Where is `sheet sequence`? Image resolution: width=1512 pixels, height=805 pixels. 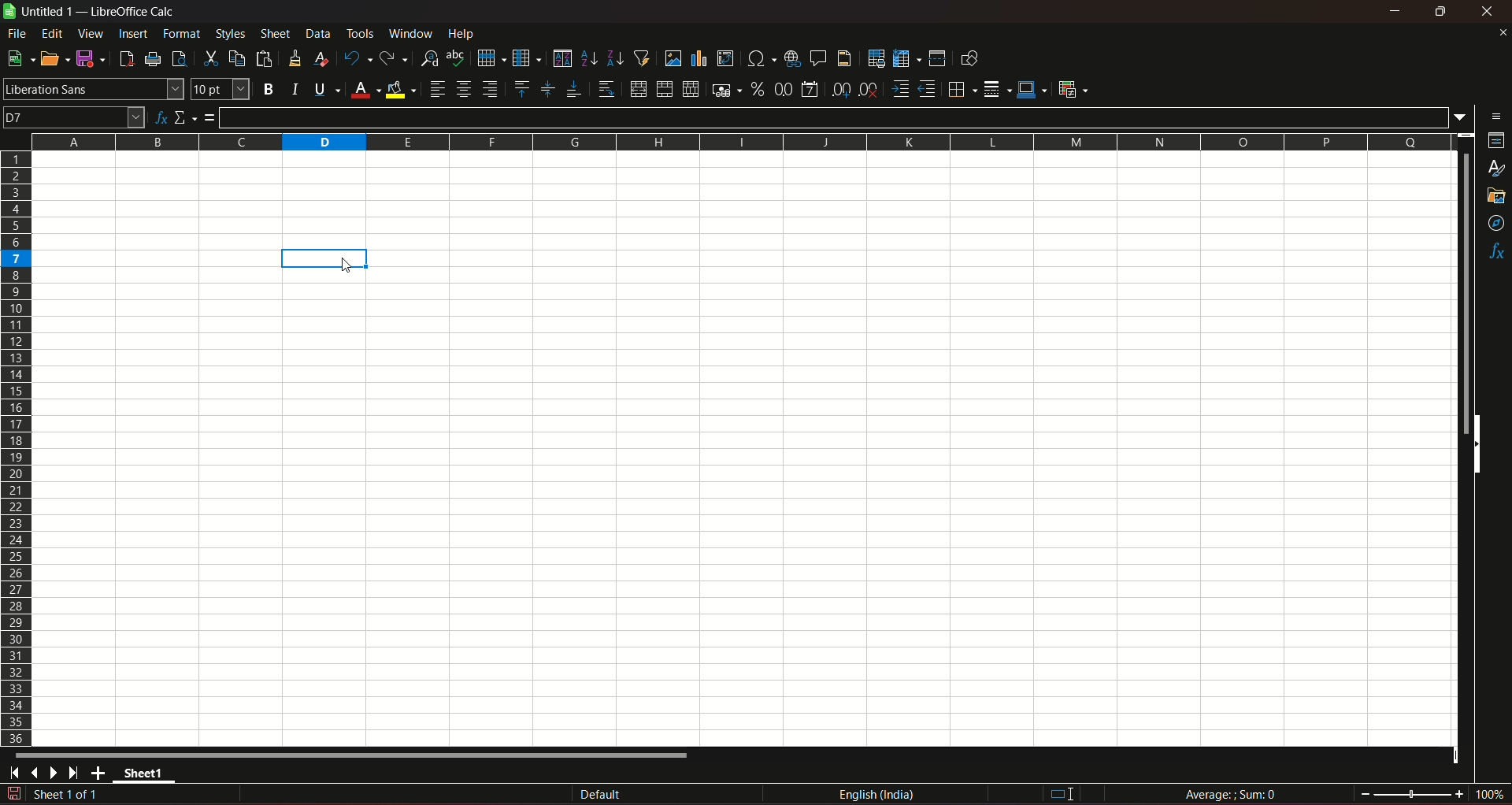
sheet sequence is located at coordinates (67, 796).